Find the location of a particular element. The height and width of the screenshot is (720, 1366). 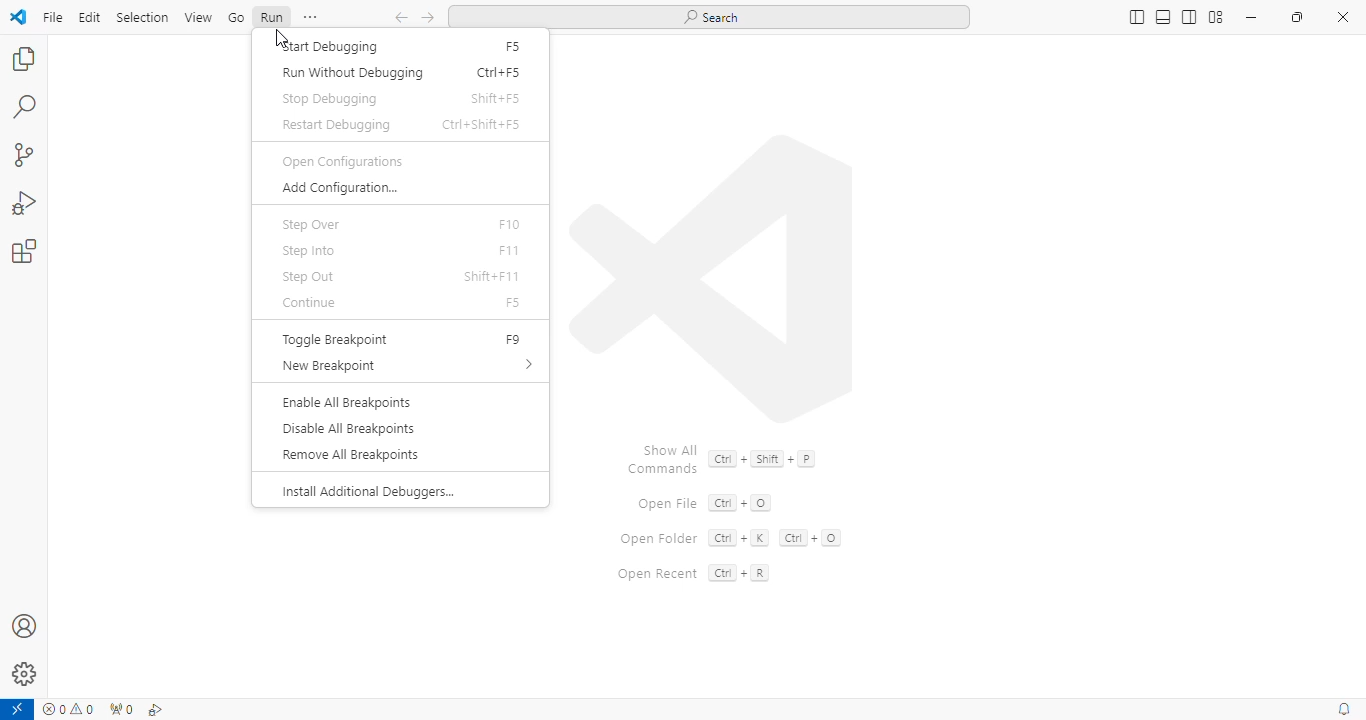

restart debugging is located at coordinates (334, 125).